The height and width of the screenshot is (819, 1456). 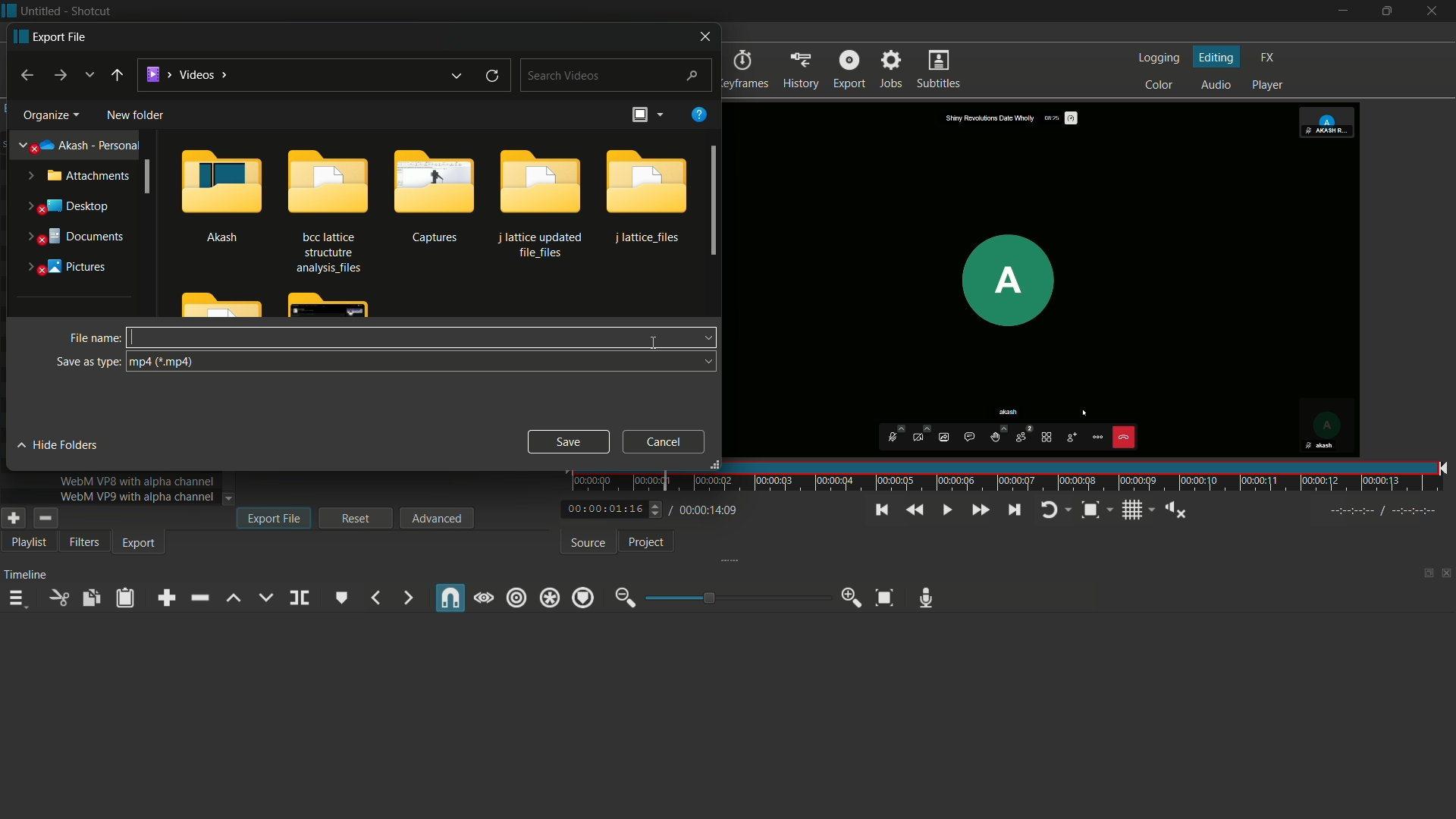 What do you see at coordinates (52, 36) in the screenshot?
I see `export file` at bounding box center [52, 36].